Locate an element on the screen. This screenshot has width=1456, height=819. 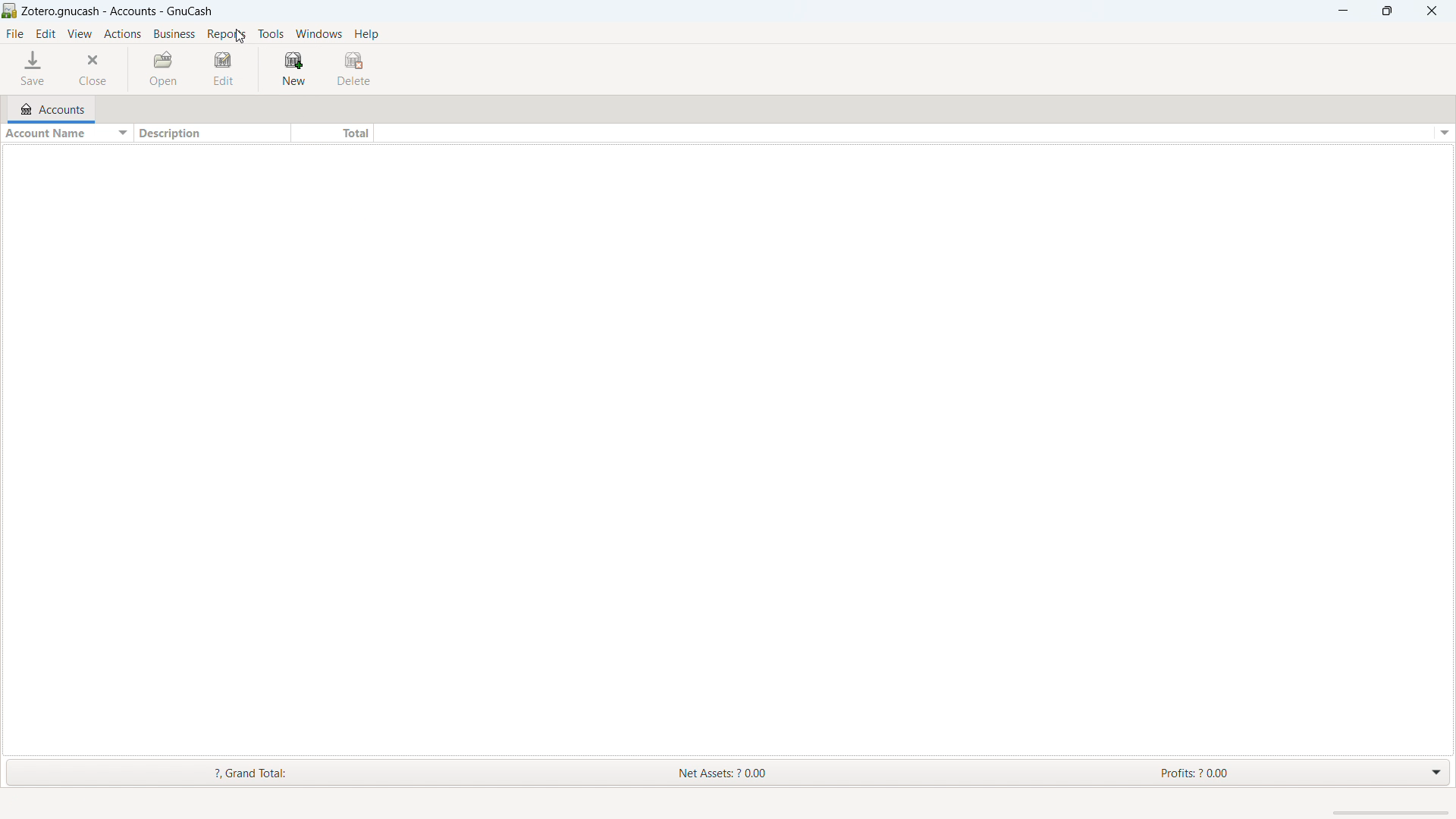
edit is located at coordinates (46, 33).